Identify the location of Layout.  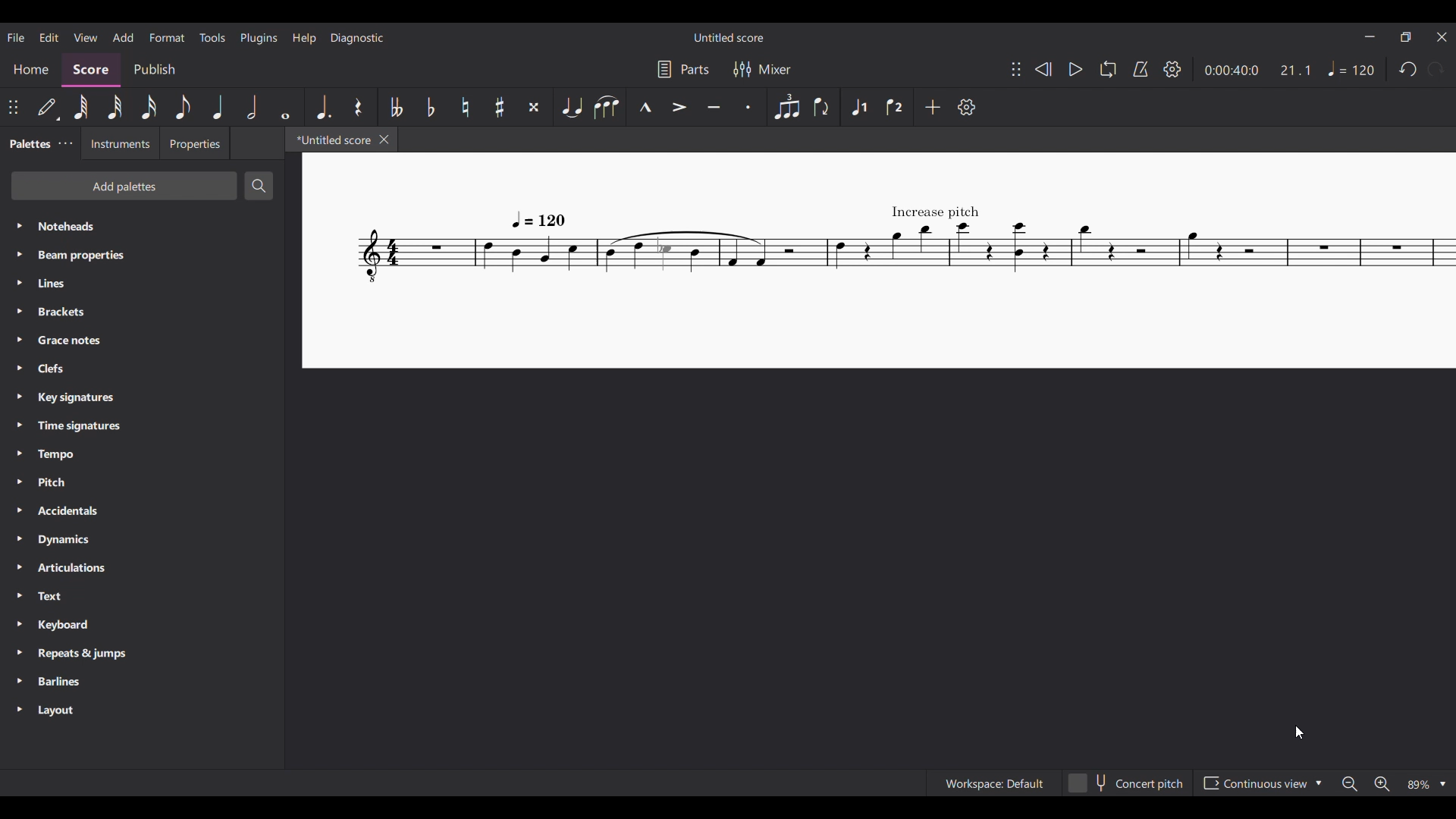
(142, 711).